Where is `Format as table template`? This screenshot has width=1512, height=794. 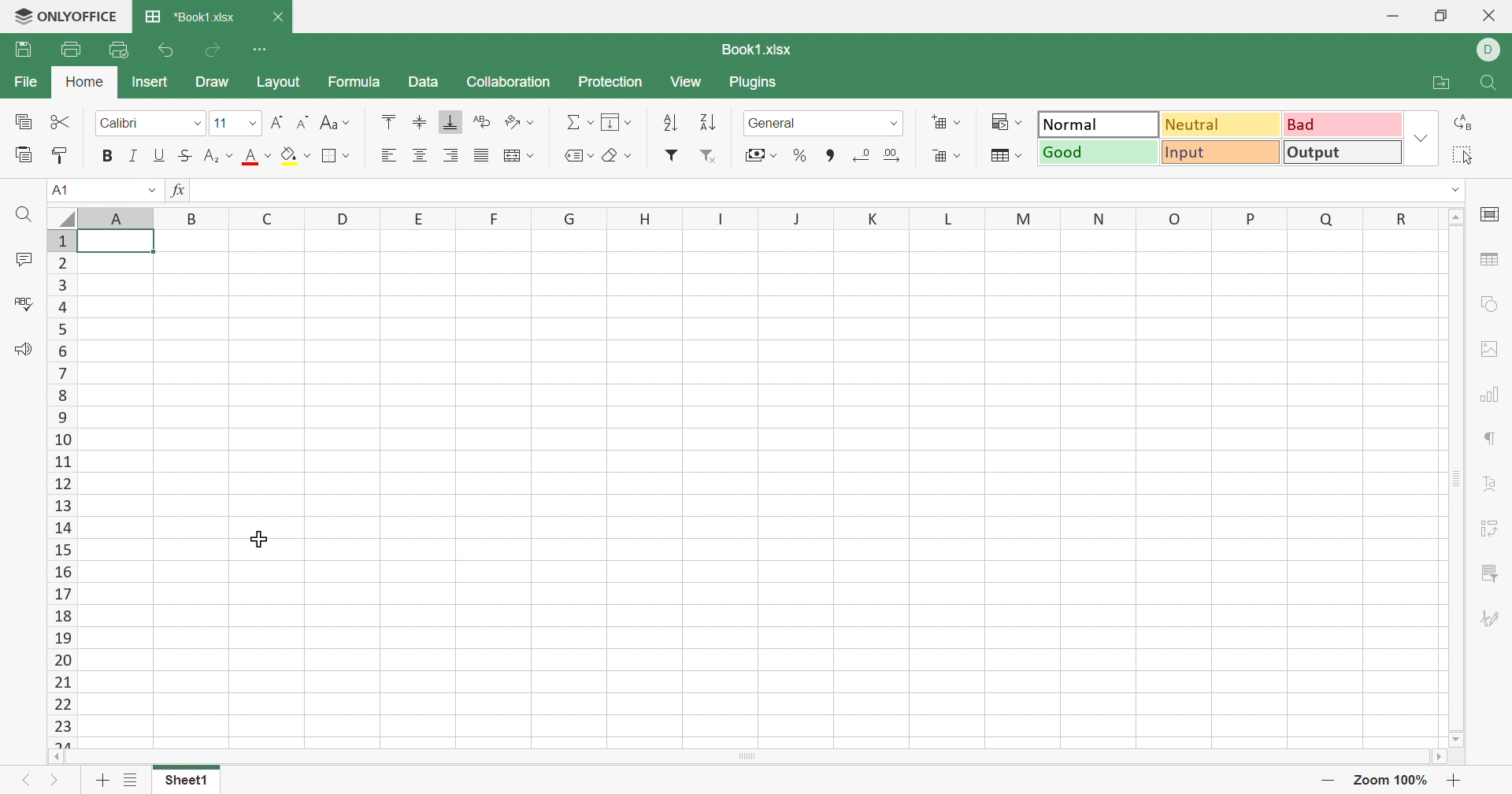
Format as table template is located at coordinates (1002, 158).